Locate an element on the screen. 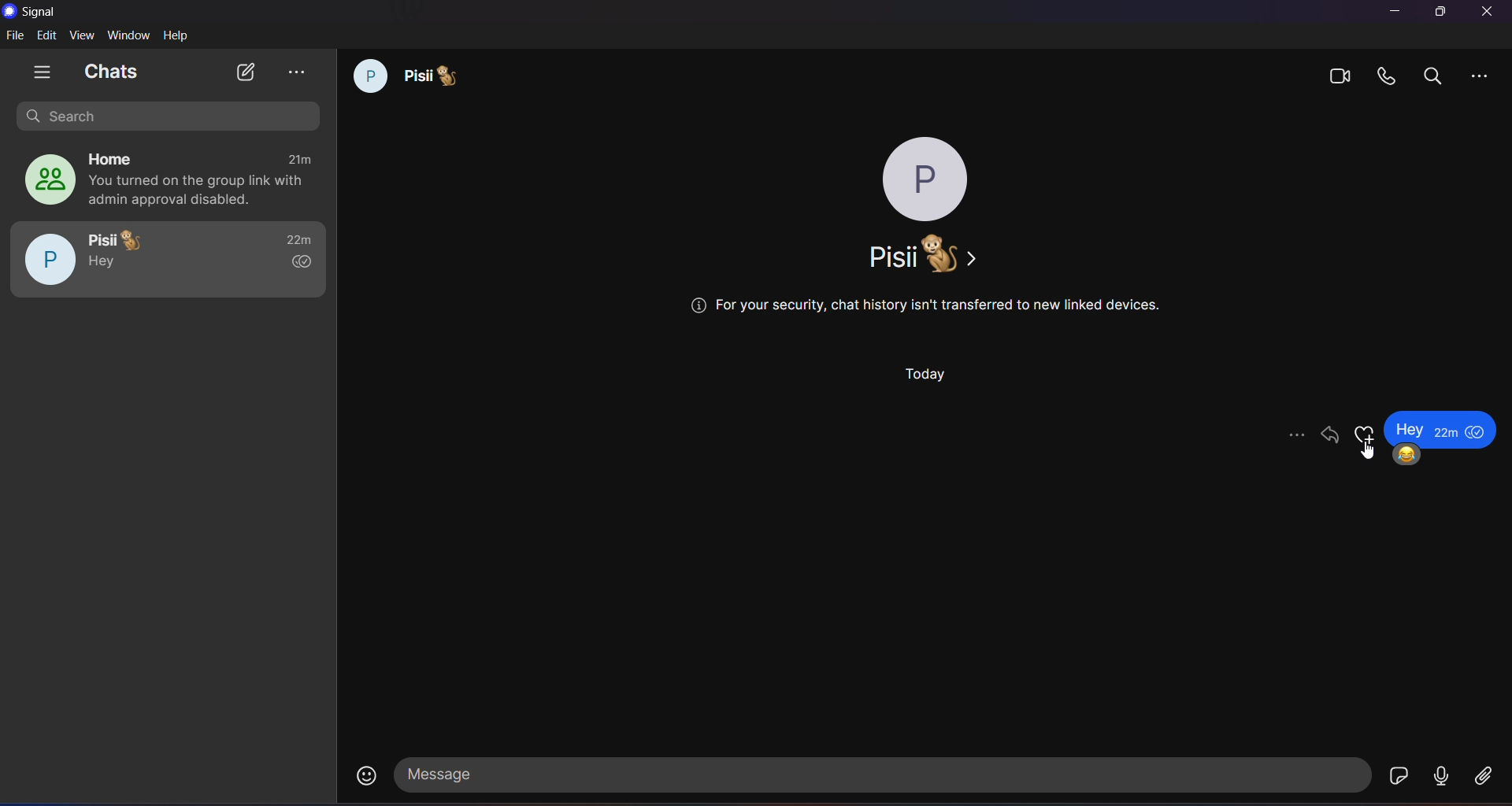  emojis is located at coordinates (1366, 434).